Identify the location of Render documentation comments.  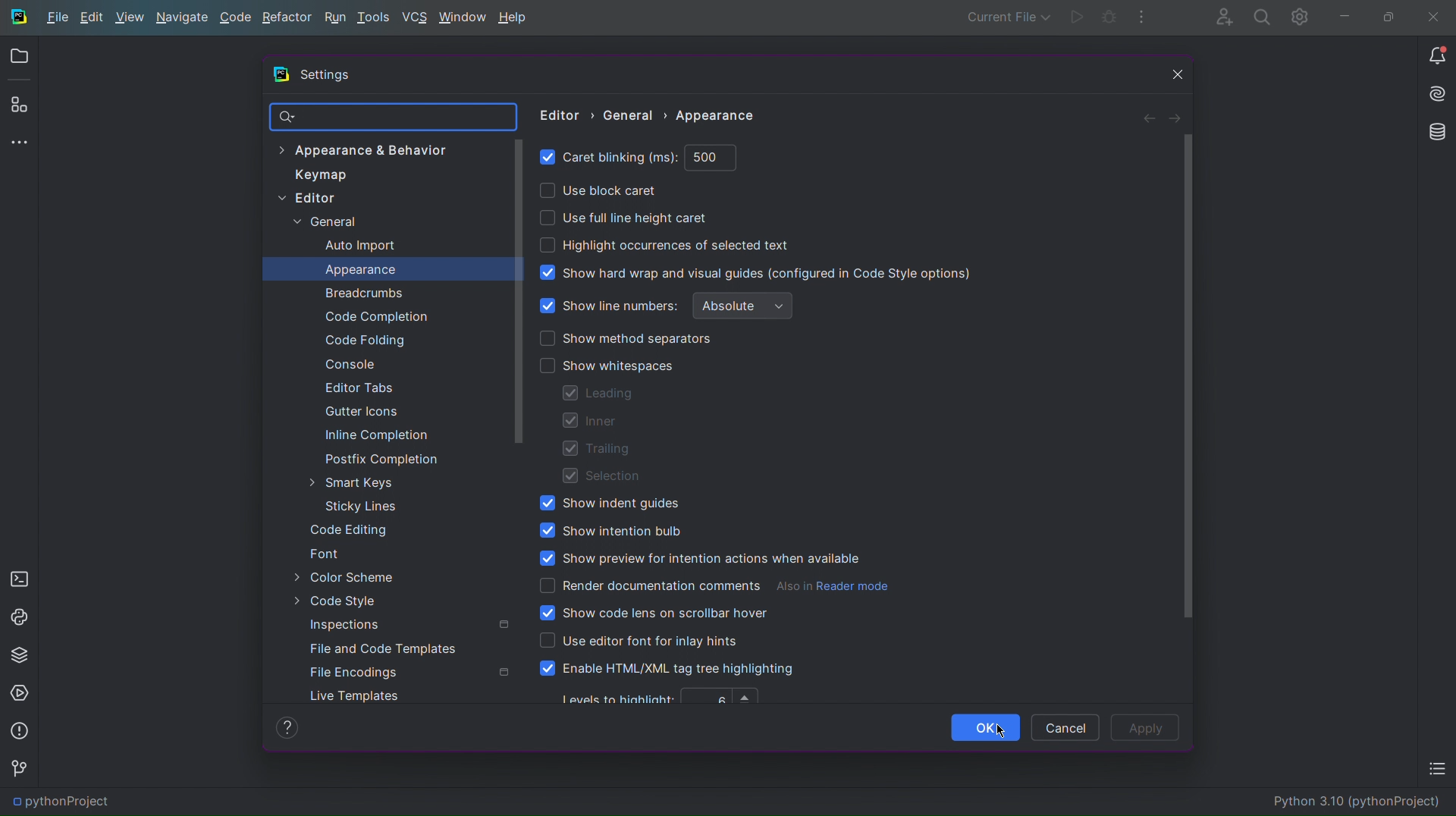
(714, 586).